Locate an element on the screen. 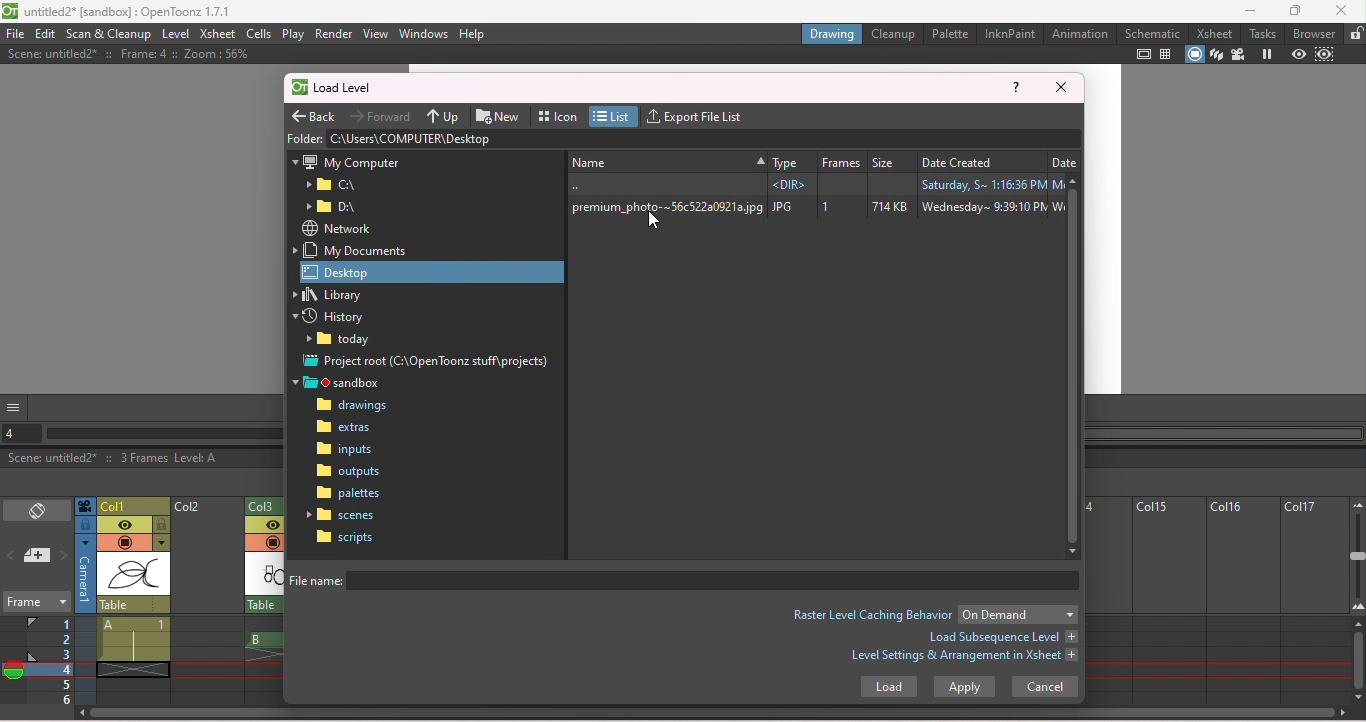 Image resolution: width=1366 pixels, height=722 pixels. Schematic is located at coordinates (1153, 33).